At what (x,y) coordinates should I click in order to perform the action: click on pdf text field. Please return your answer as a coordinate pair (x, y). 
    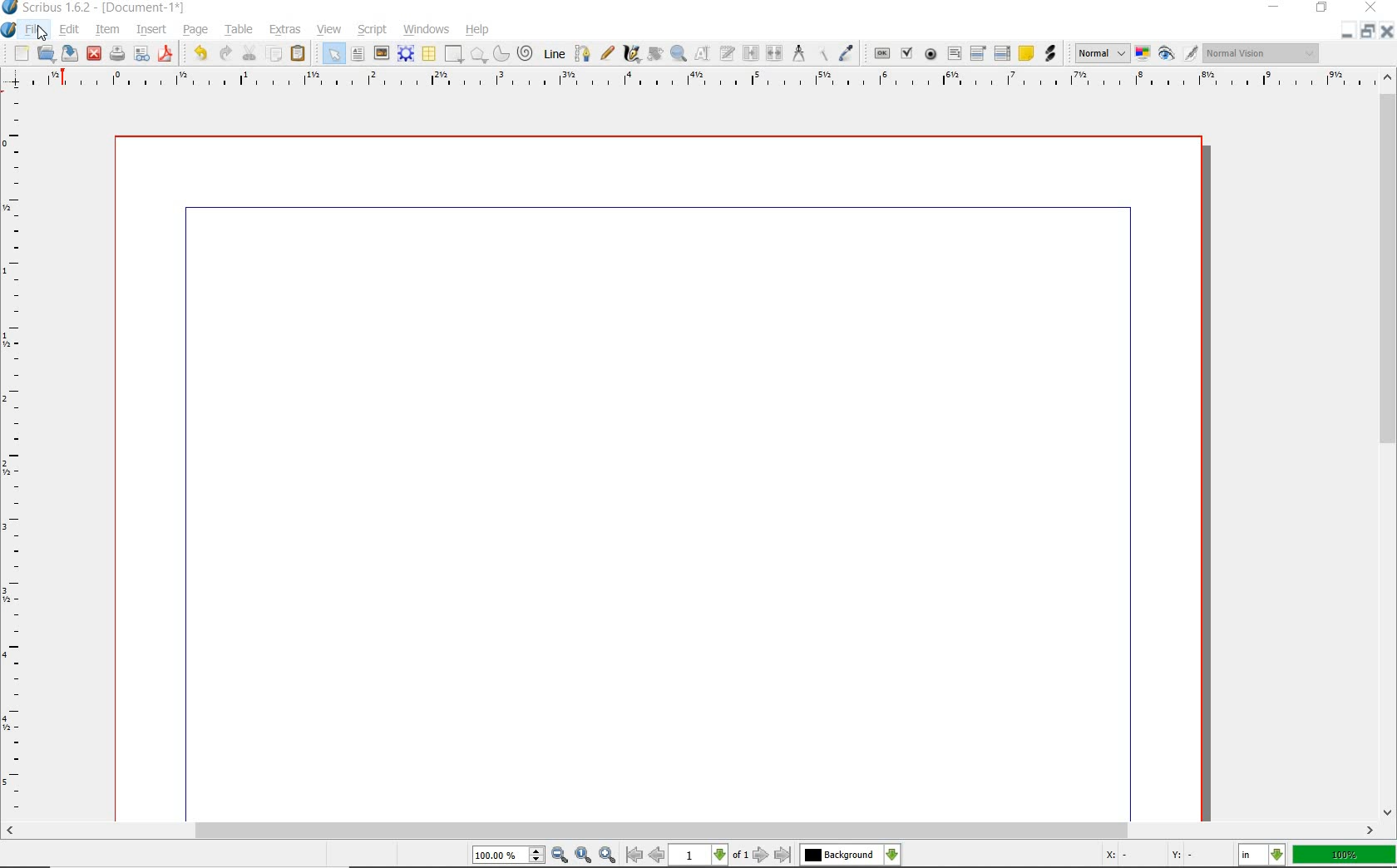
    Looking at the image, I should click on (954, 53).